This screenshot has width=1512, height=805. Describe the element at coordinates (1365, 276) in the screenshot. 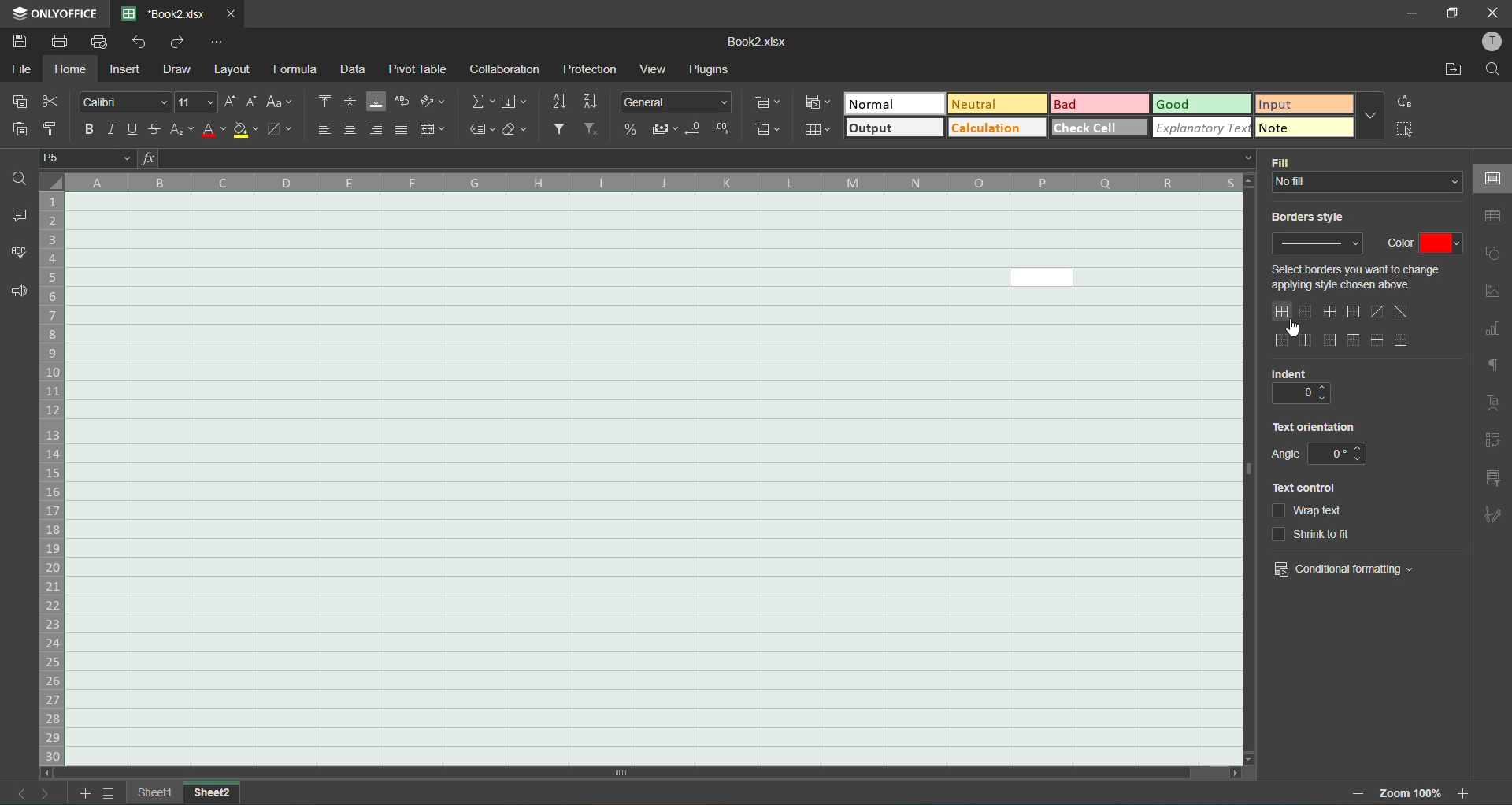

I see `Select borders you want to change applying style chosen above` at that location.